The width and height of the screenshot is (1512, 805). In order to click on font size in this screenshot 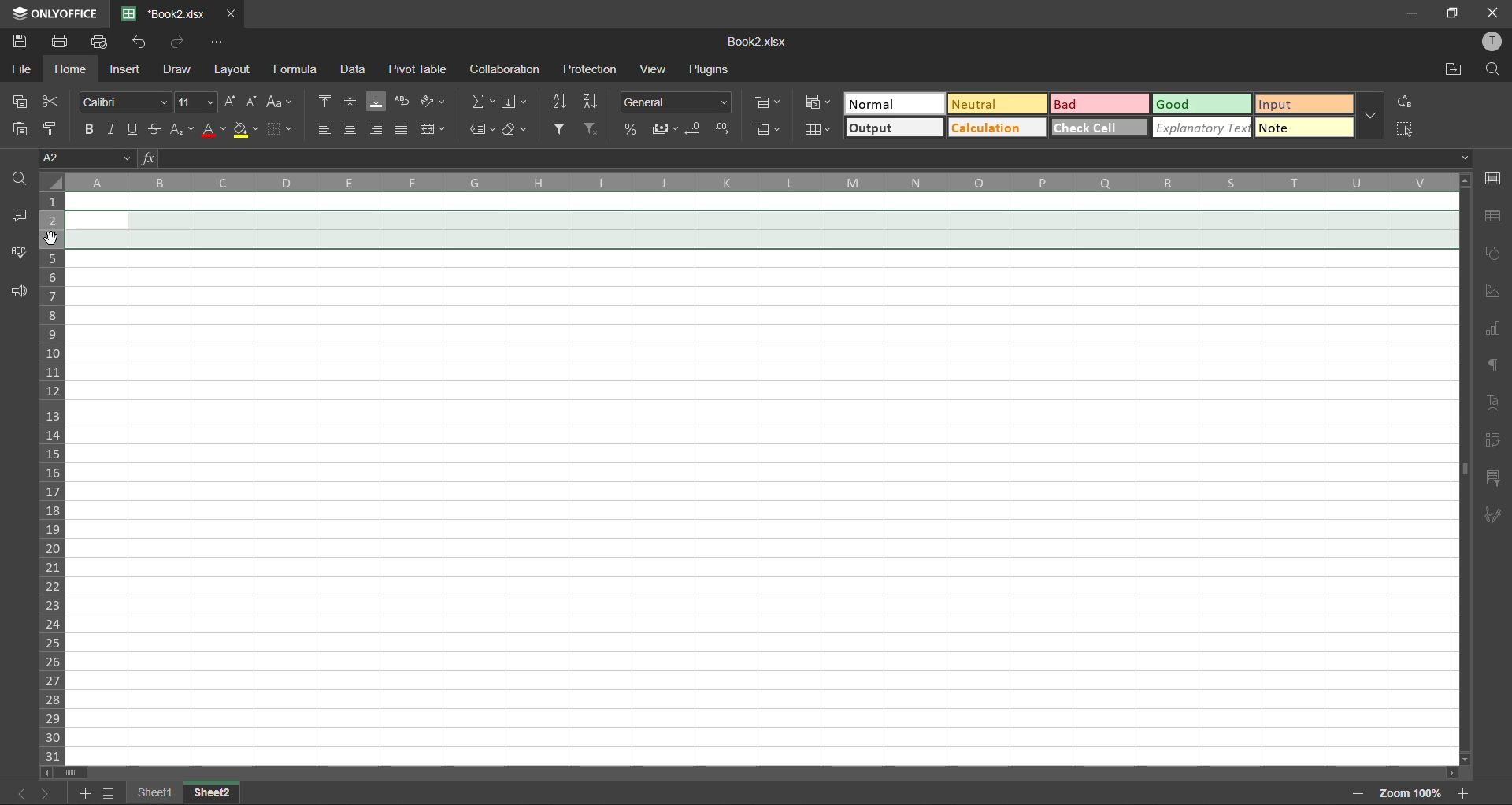, I will do `click(196, 103)`.